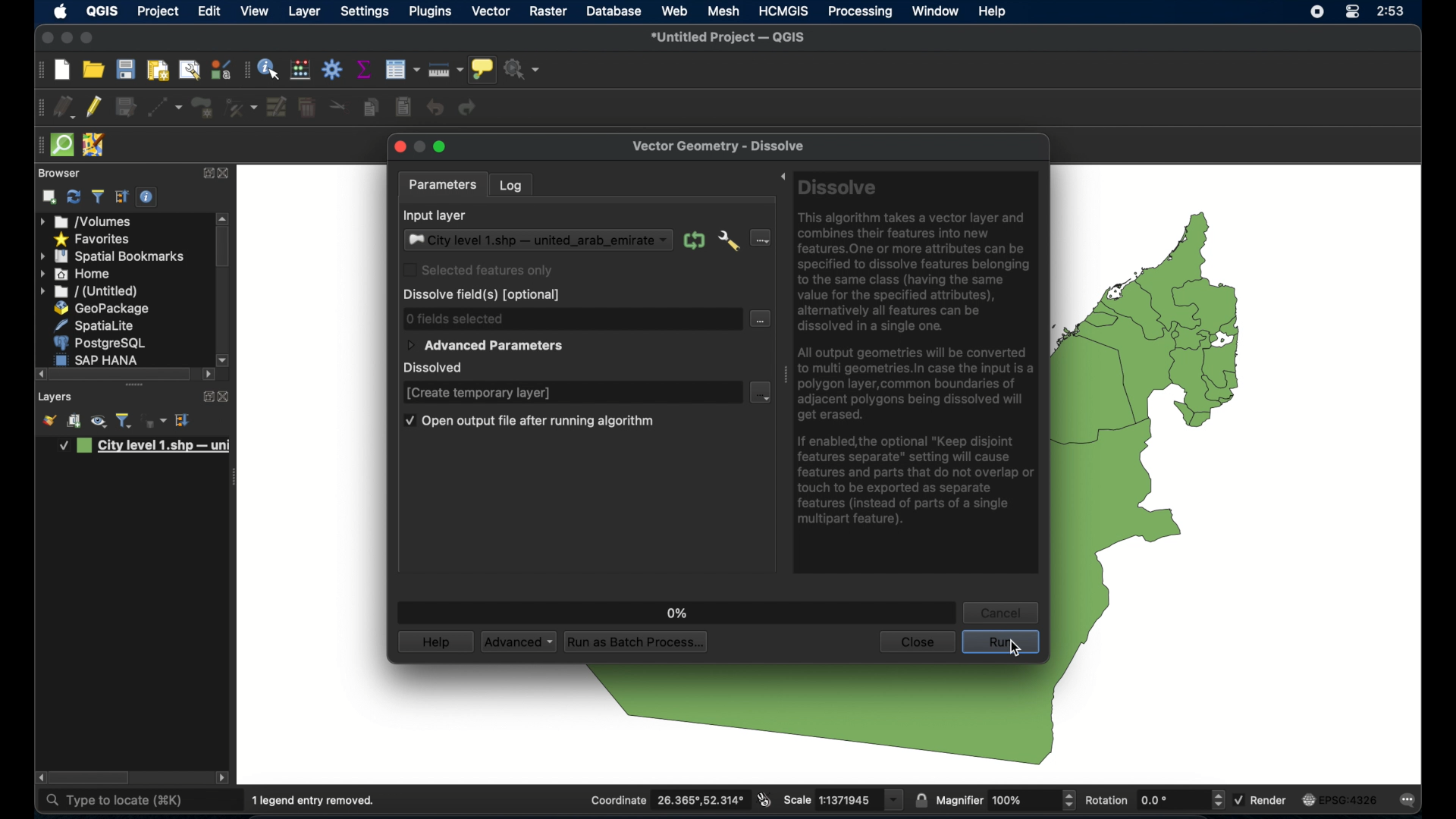 This screenshot has height=819, width=1456. What do you see at coordinates (915, 643) in the screenshot?
I see `close` at bounding box center [915, 643].